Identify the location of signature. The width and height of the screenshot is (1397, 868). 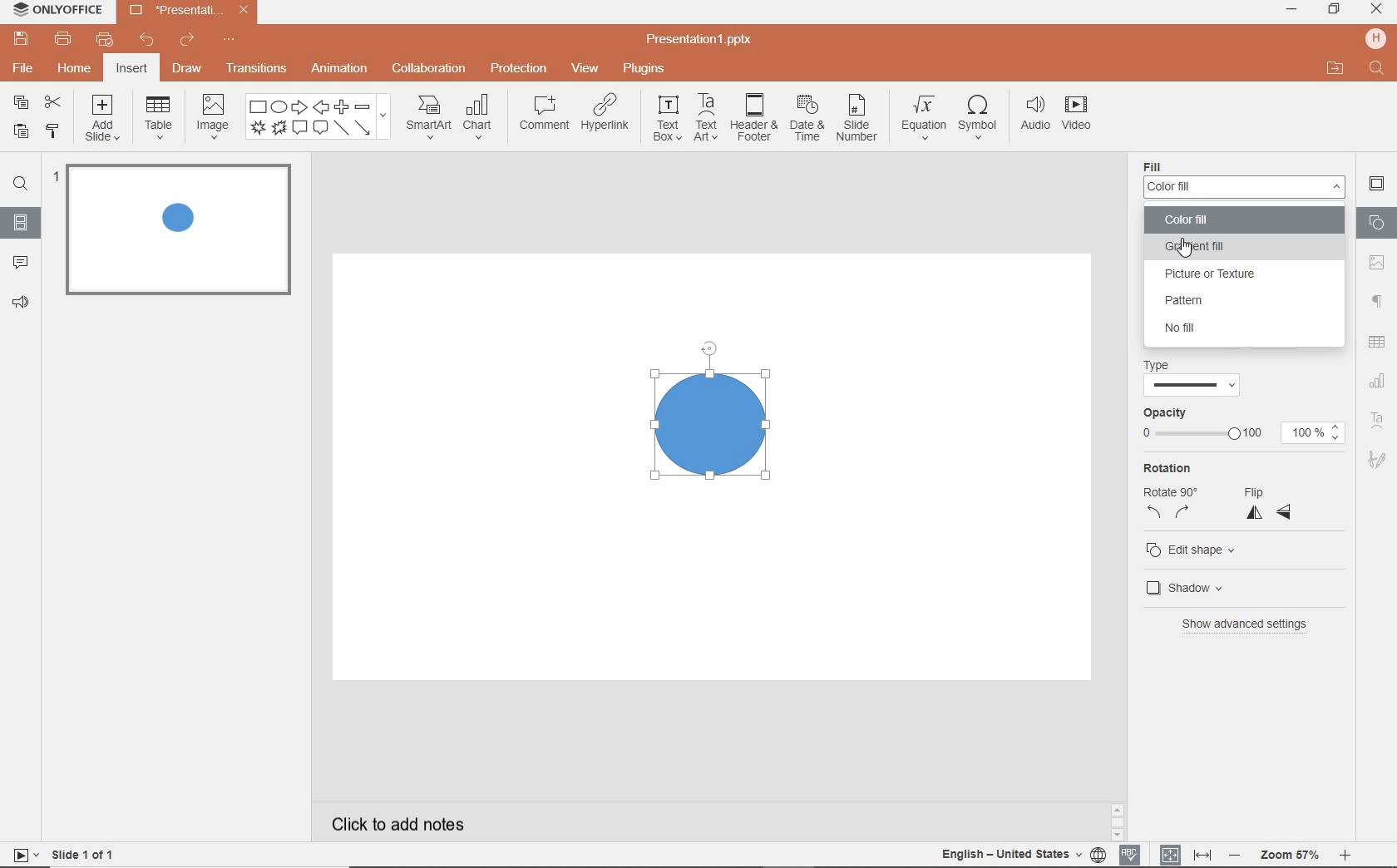
(1376, 458).